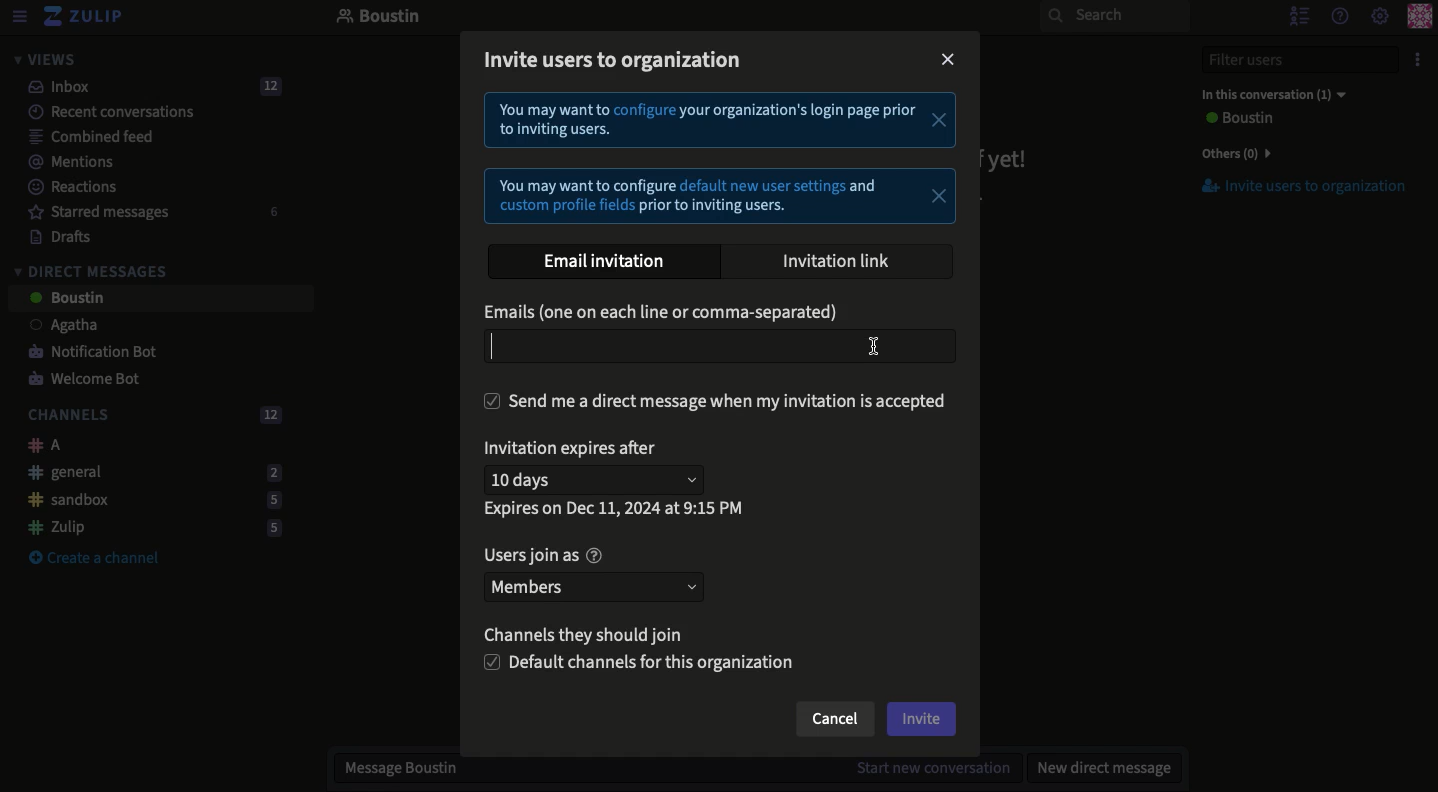 This screenshot has height=792, width=1438. Describe the element at coordinates (1419, 18) in the screenshot. I see `Profile` at that location.